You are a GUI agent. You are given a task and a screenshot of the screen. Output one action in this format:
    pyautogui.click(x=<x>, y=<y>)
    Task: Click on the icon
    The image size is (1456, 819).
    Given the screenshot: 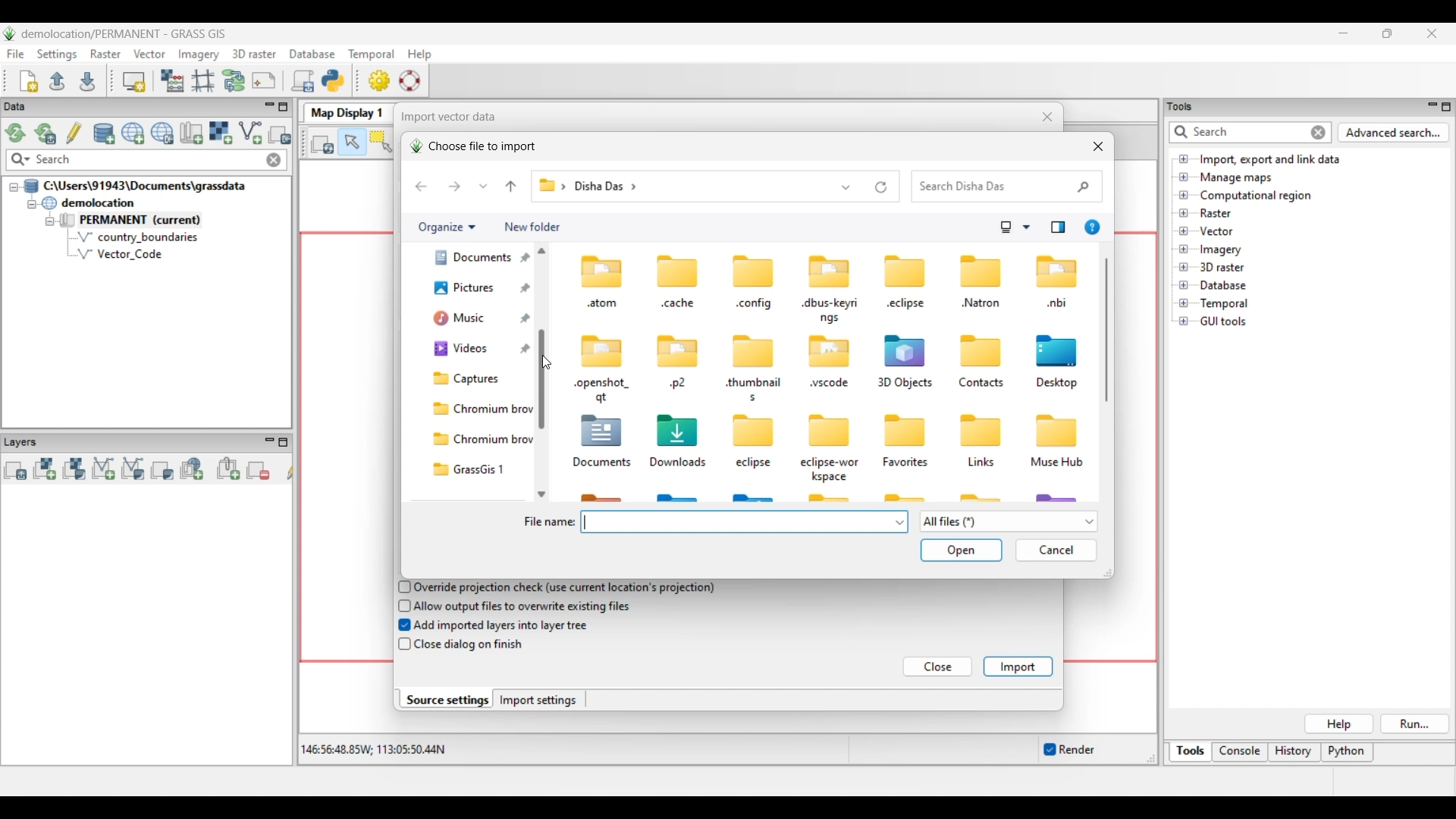 What is the action you would take?
    pyautogui.click(x=981, y=431)
    